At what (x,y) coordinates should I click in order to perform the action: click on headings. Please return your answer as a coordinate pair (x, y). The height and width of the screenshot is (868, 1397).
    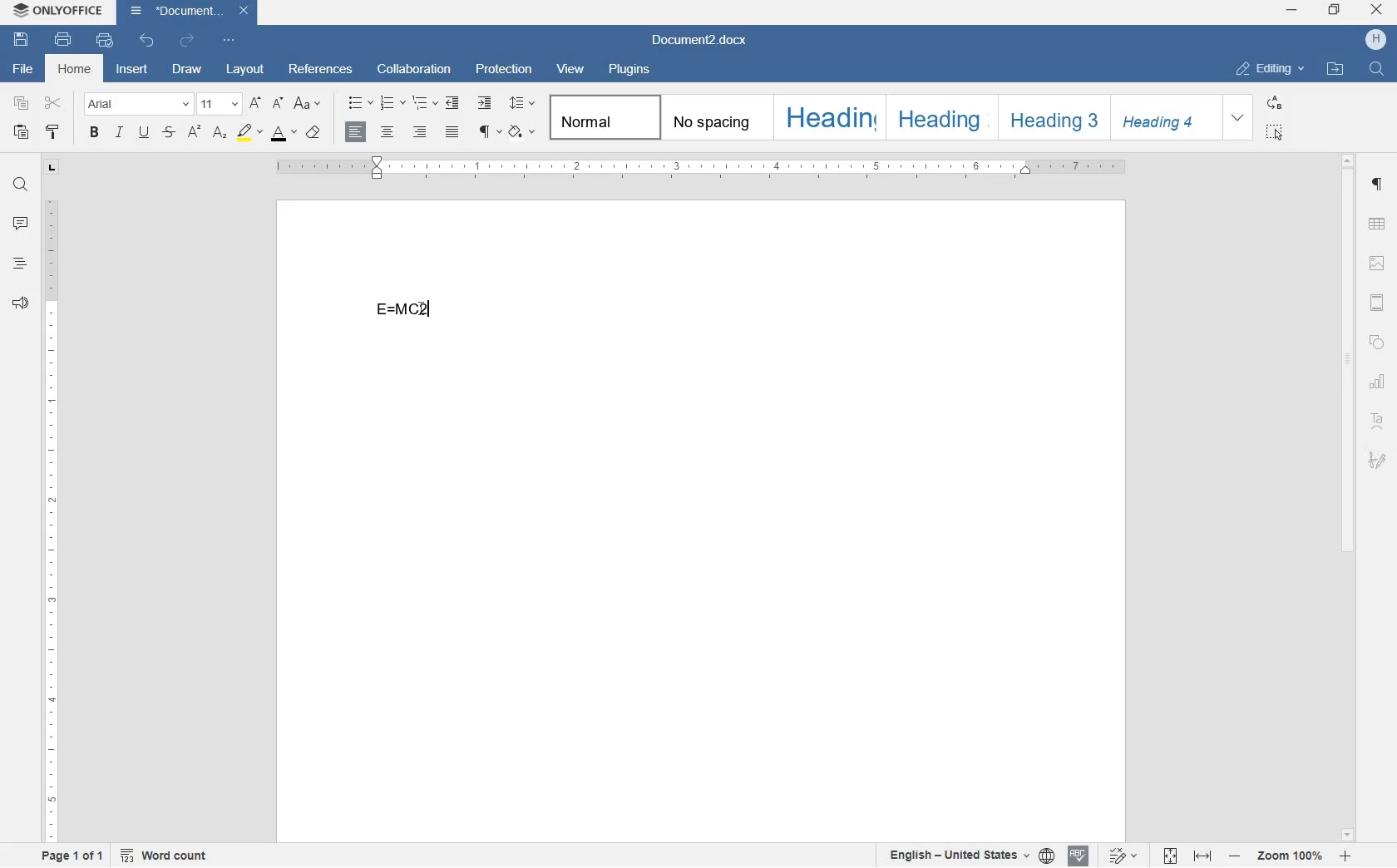
    Looking at the image, I should click on (19, 264).